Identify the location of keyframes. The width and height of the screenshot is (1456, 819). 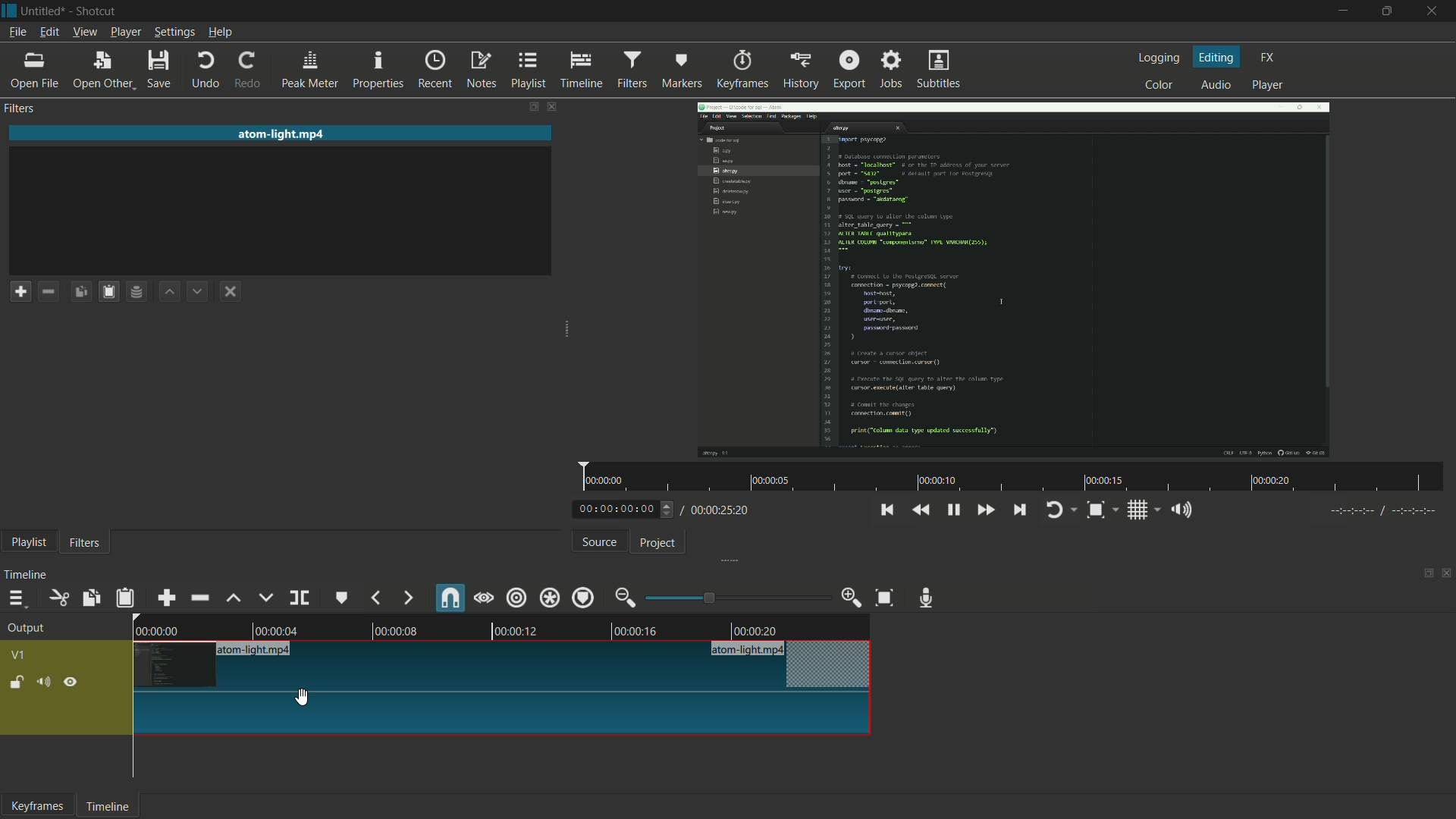
(37, 806).